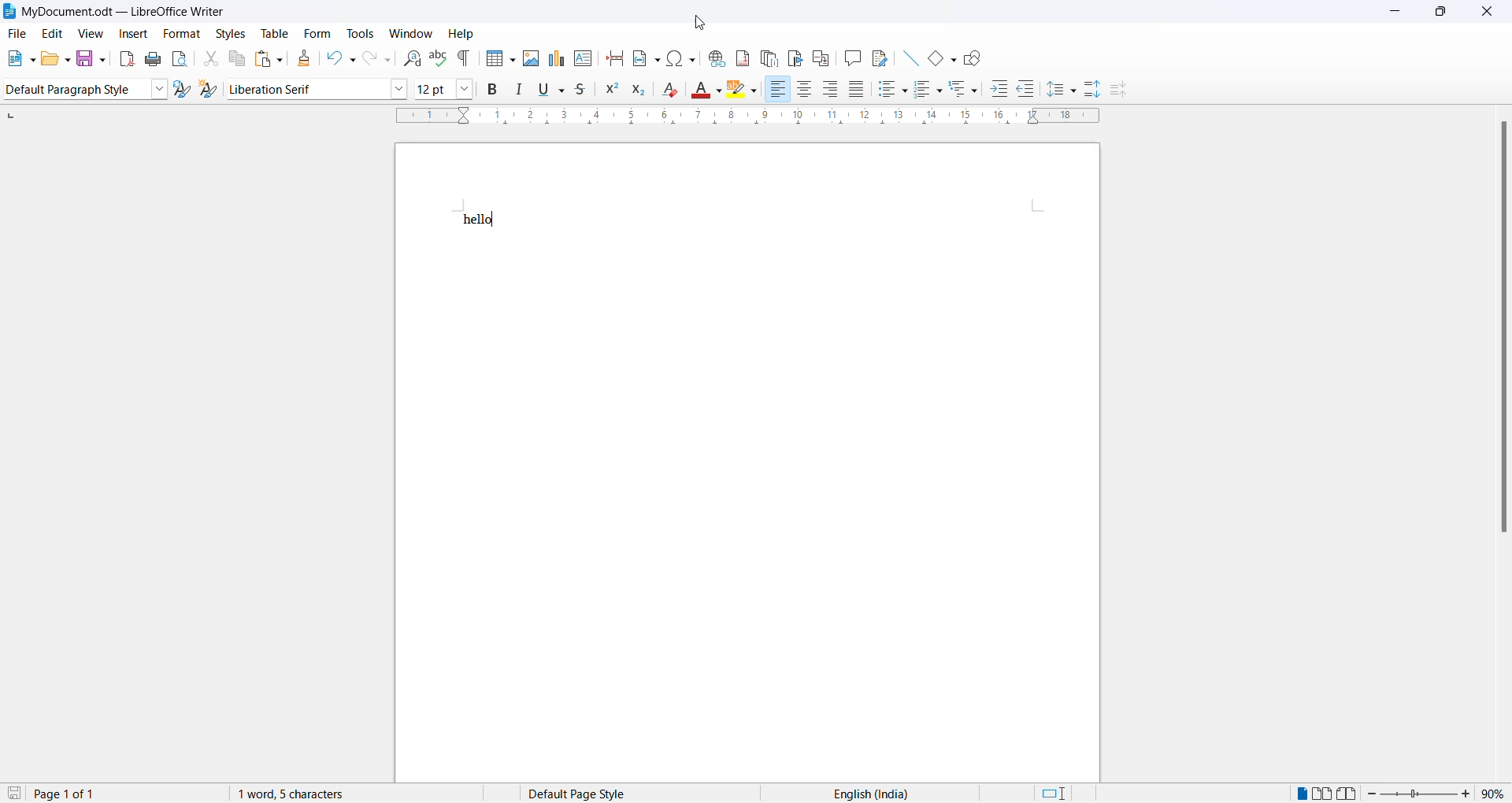  What do you see at coordinates (636, 92) in the screenshot?
I see `Subscript` at bounding box center [636, 92].